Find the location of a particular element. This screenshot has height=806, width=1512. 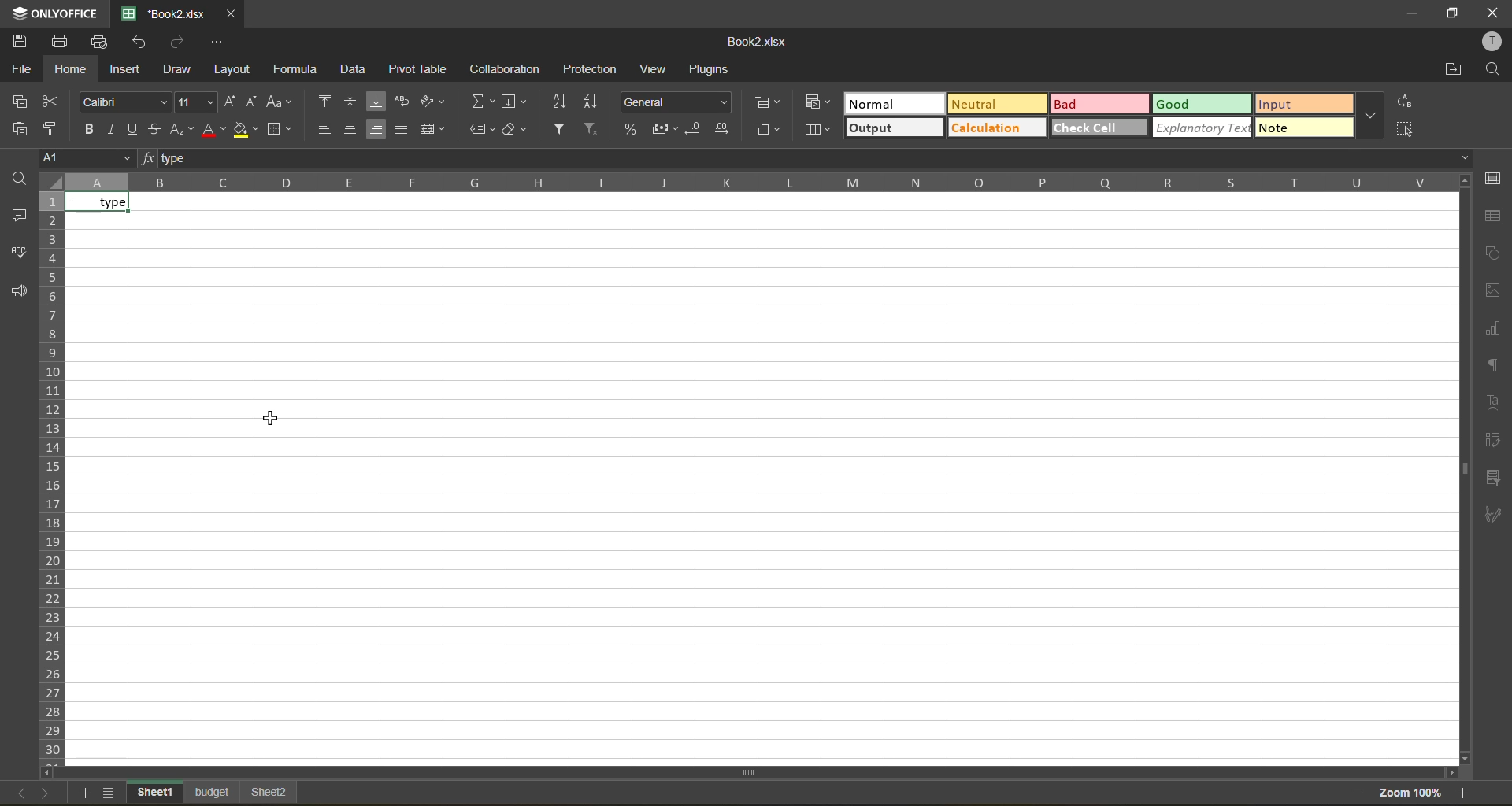

number format is located at coordinates (679, 104).